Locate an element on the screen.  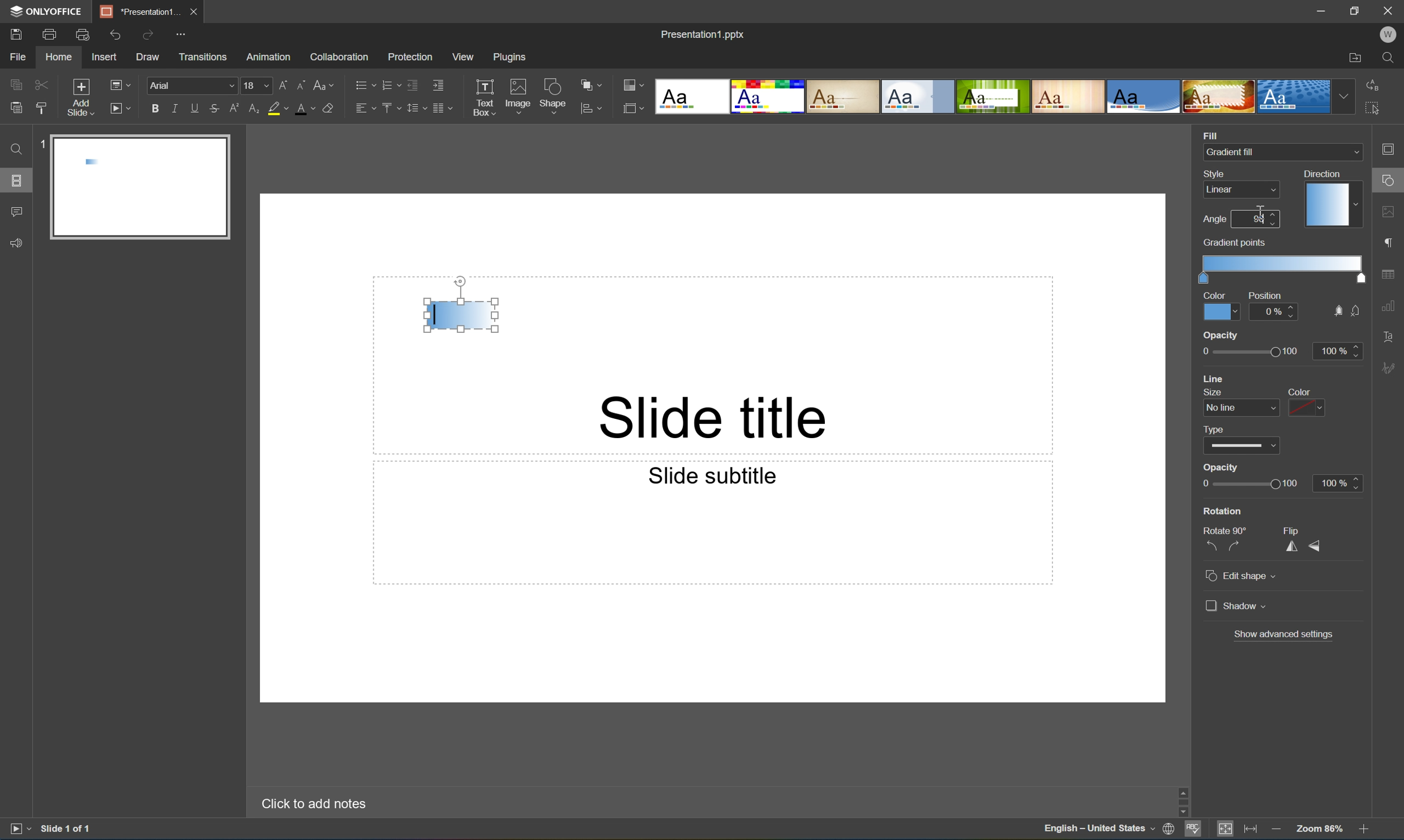
Font is located at coordinates (194, 86).